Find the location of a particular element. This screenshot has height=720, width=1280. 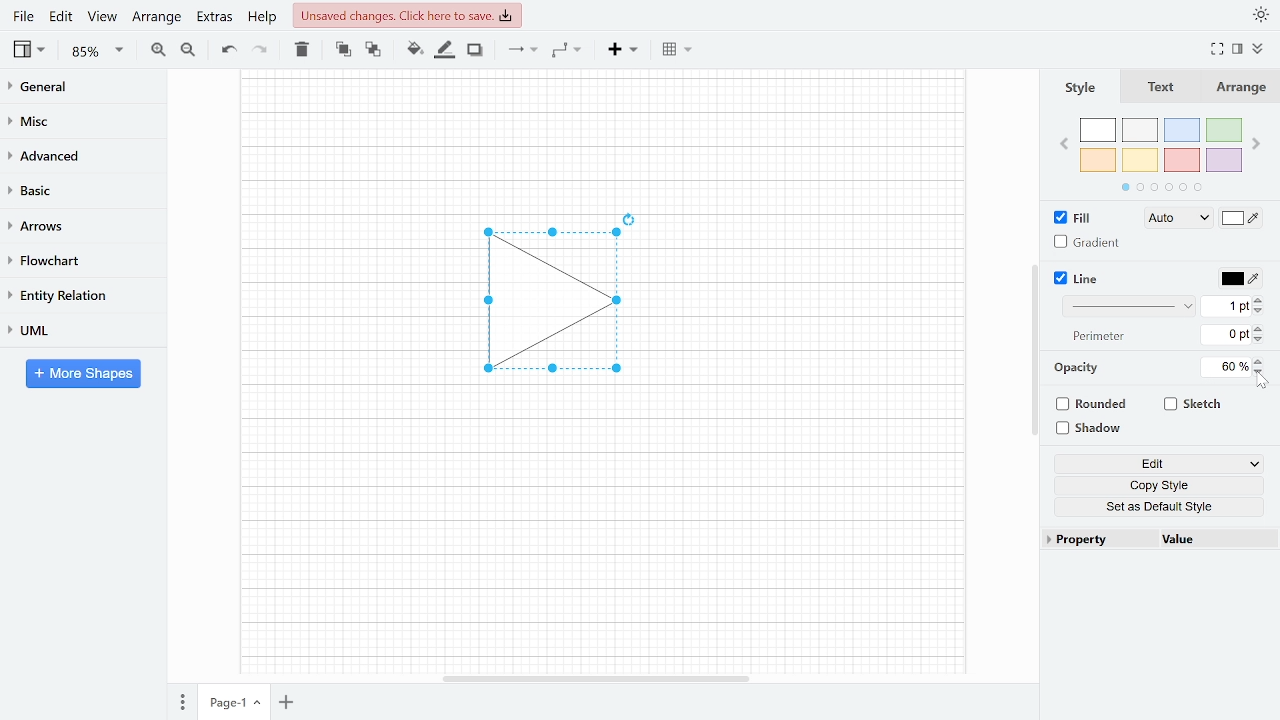

Add page is located at coordinates (290, 704).